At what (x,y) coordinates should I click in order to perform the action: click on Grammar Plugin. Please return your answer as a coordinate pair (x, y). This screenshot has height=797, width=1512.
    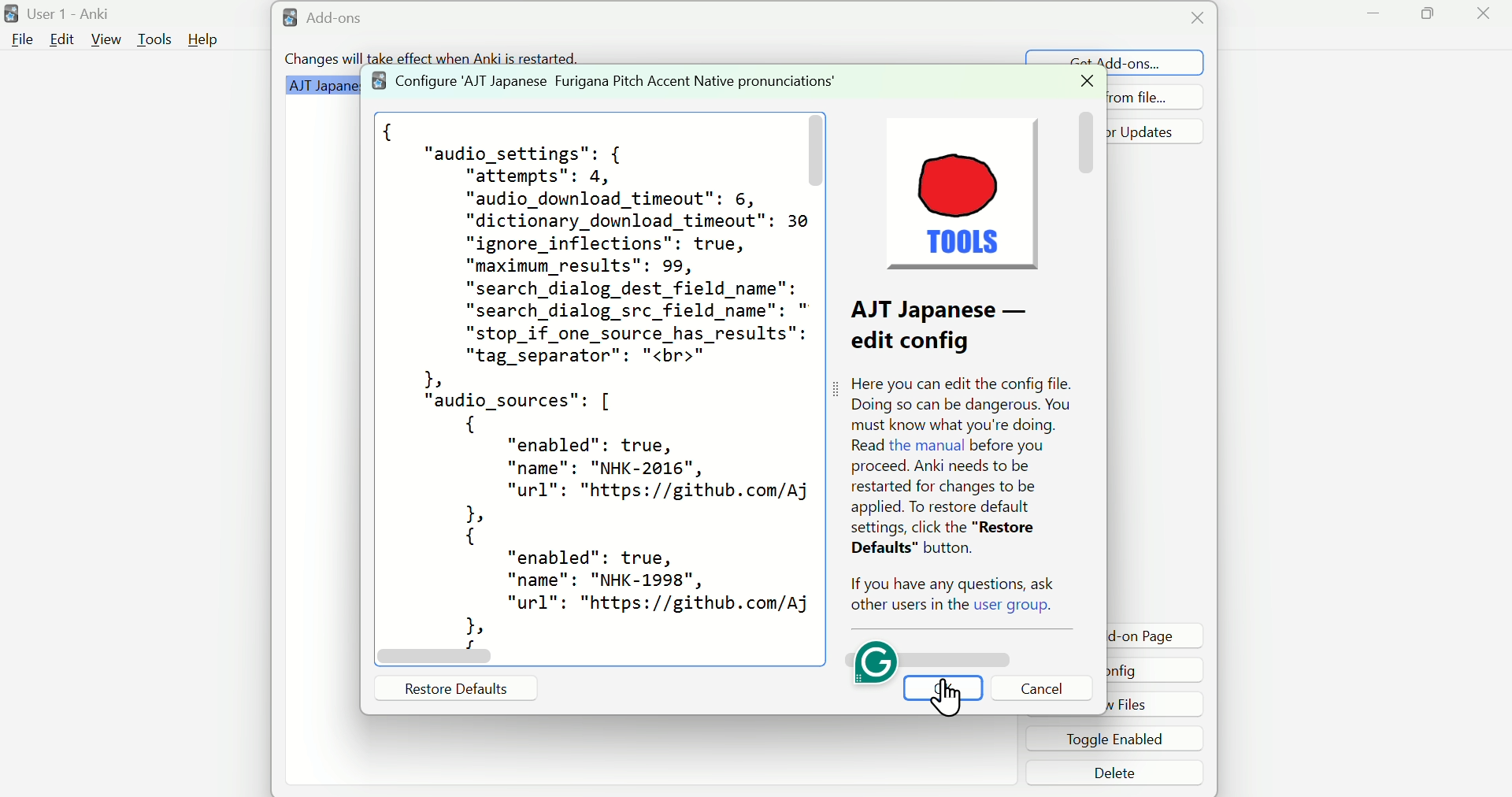
    Looking at the image, I should click on (700, 82).